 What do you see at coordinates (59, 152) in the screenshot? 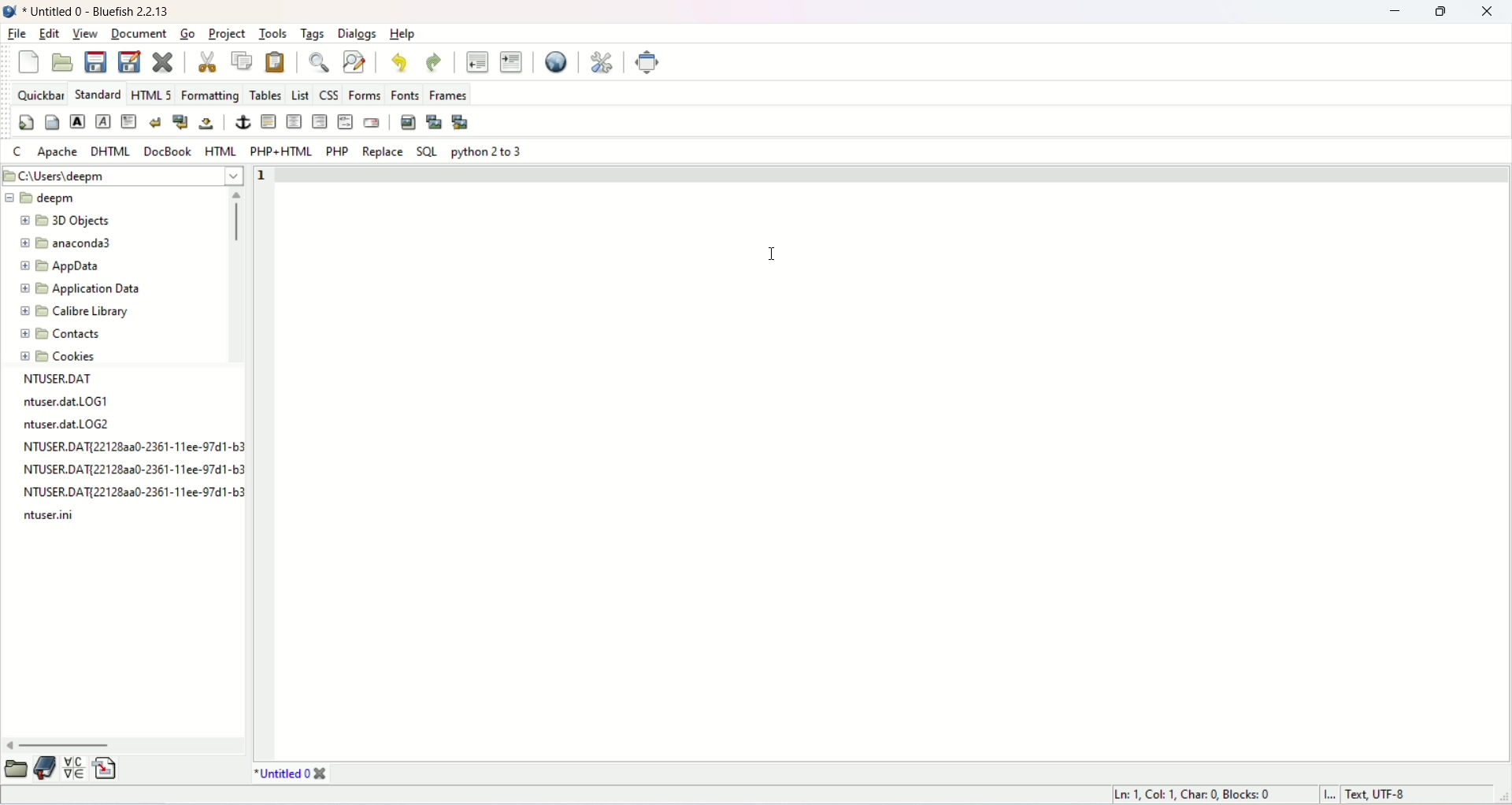
I see `APACHE` at bounding box center [59, 152].